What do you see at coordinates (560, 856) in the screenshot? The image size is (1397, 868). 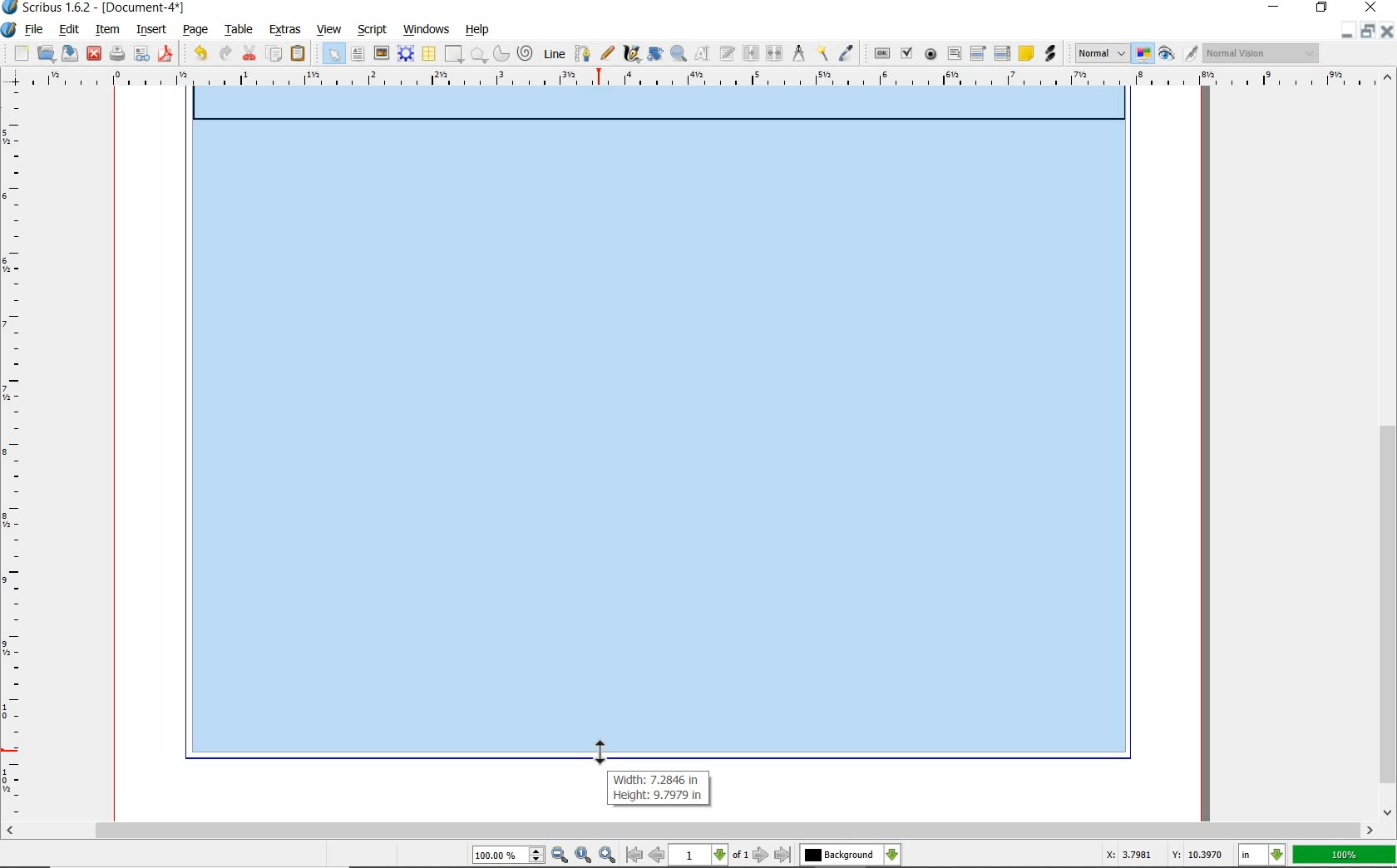 I see `zoom out` at bounding box center [560, 856].